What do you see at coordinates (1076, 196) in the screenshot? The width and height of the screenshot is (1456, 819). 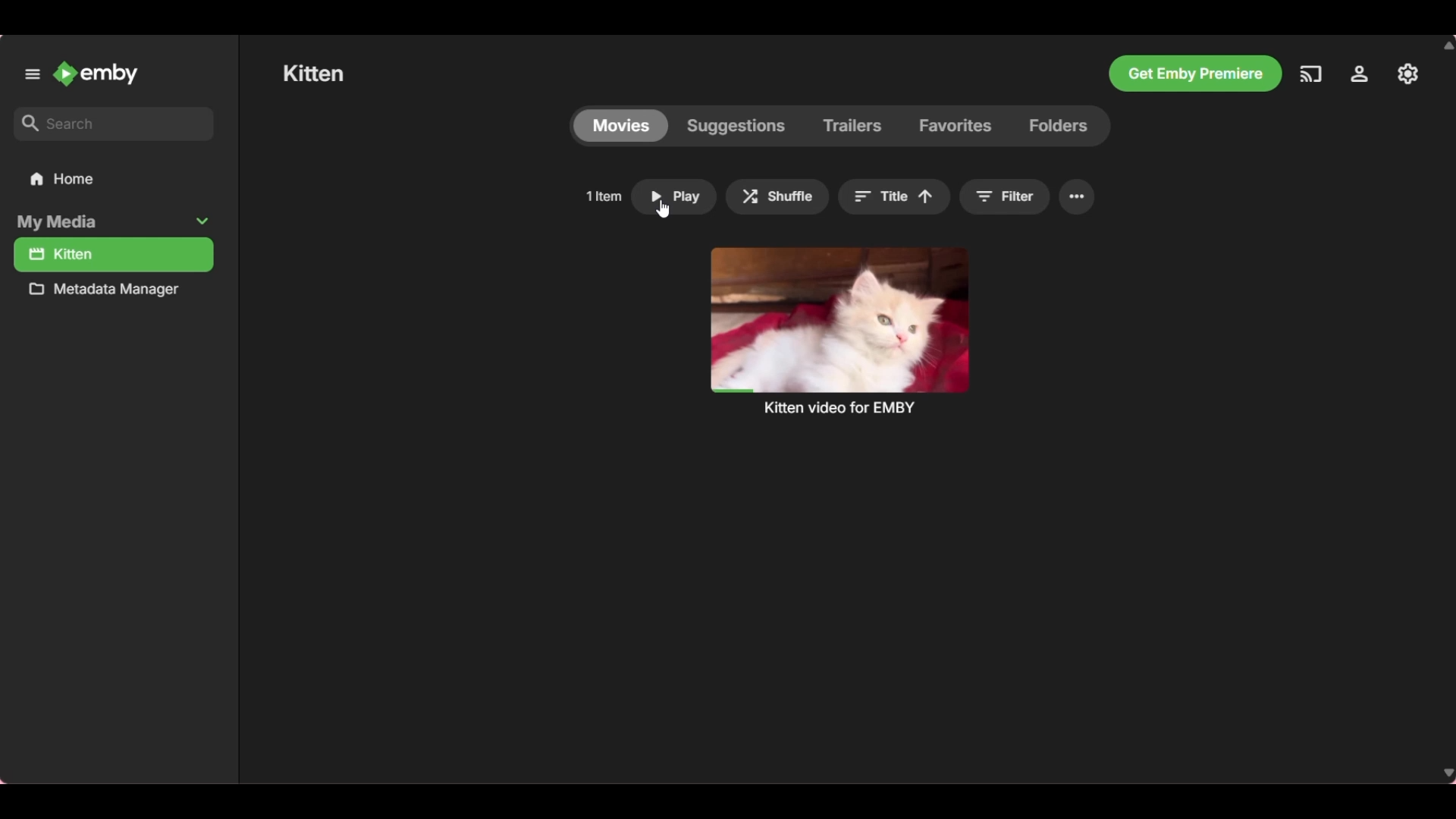 I see `Settings` at bounding box center [1076, 196].